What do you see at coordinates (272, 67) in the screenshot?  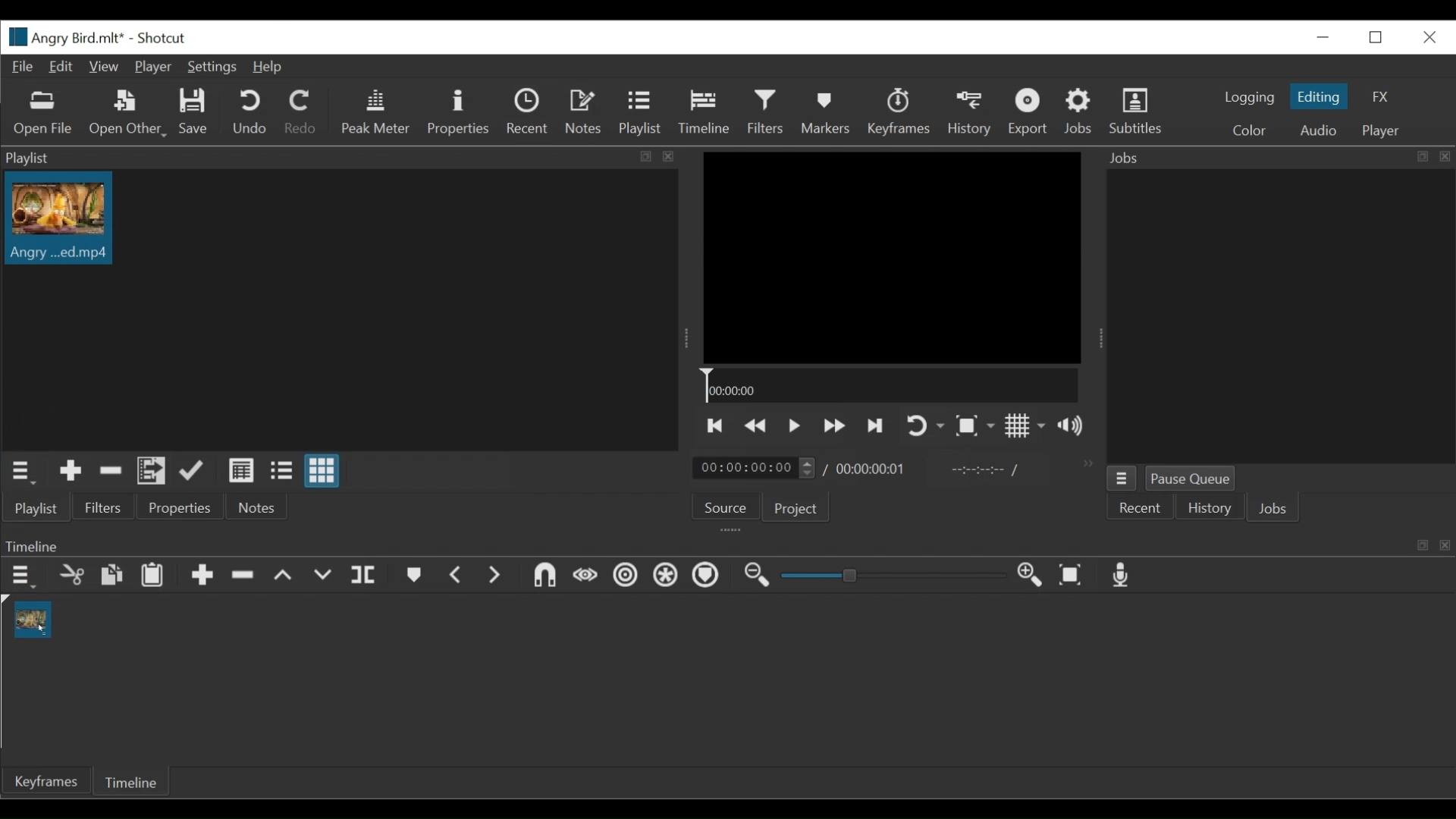 I see `Help` at bounding box center [272, 67].